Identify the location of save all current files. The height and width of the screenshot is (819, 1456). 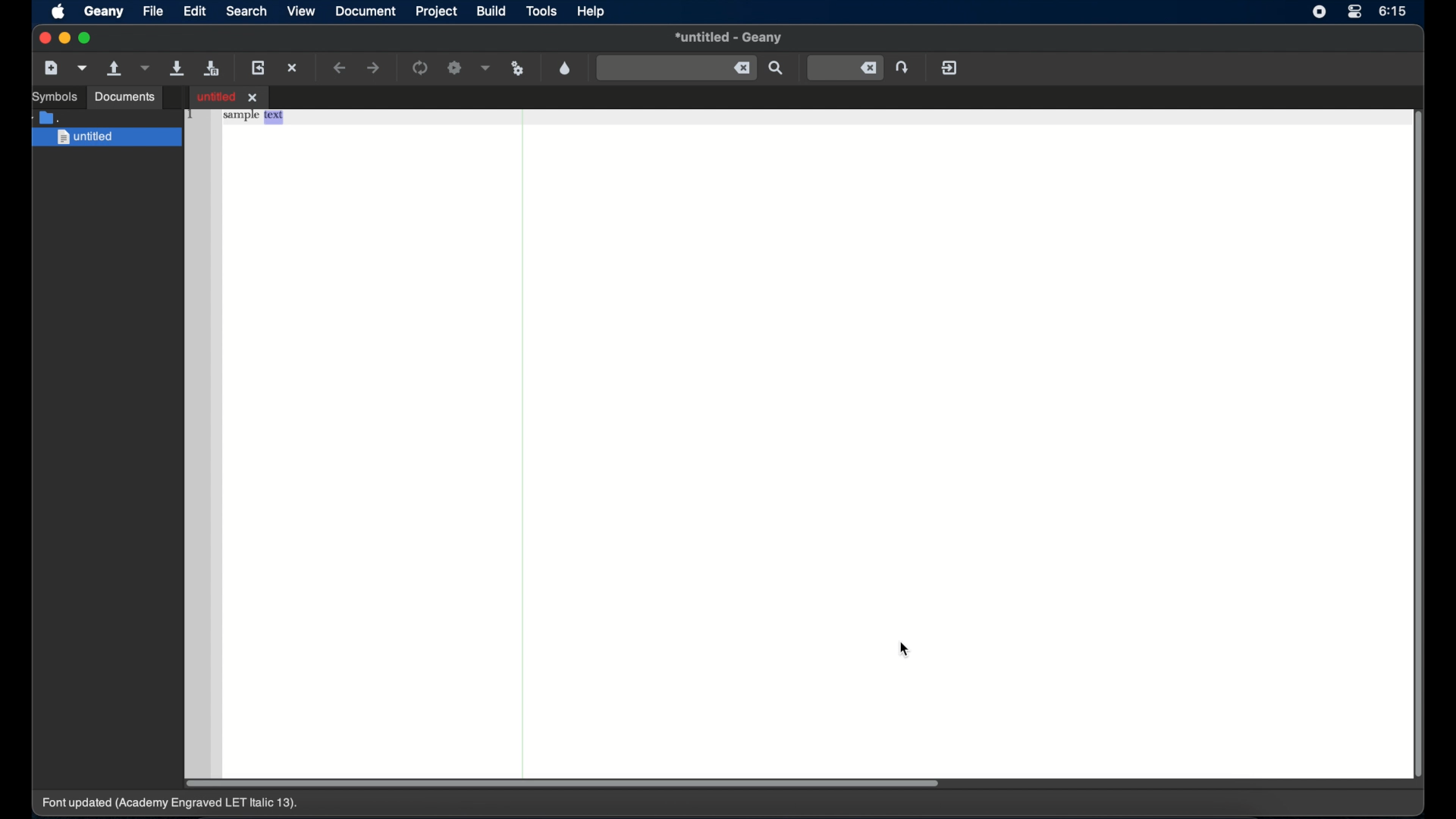
(212, 69).